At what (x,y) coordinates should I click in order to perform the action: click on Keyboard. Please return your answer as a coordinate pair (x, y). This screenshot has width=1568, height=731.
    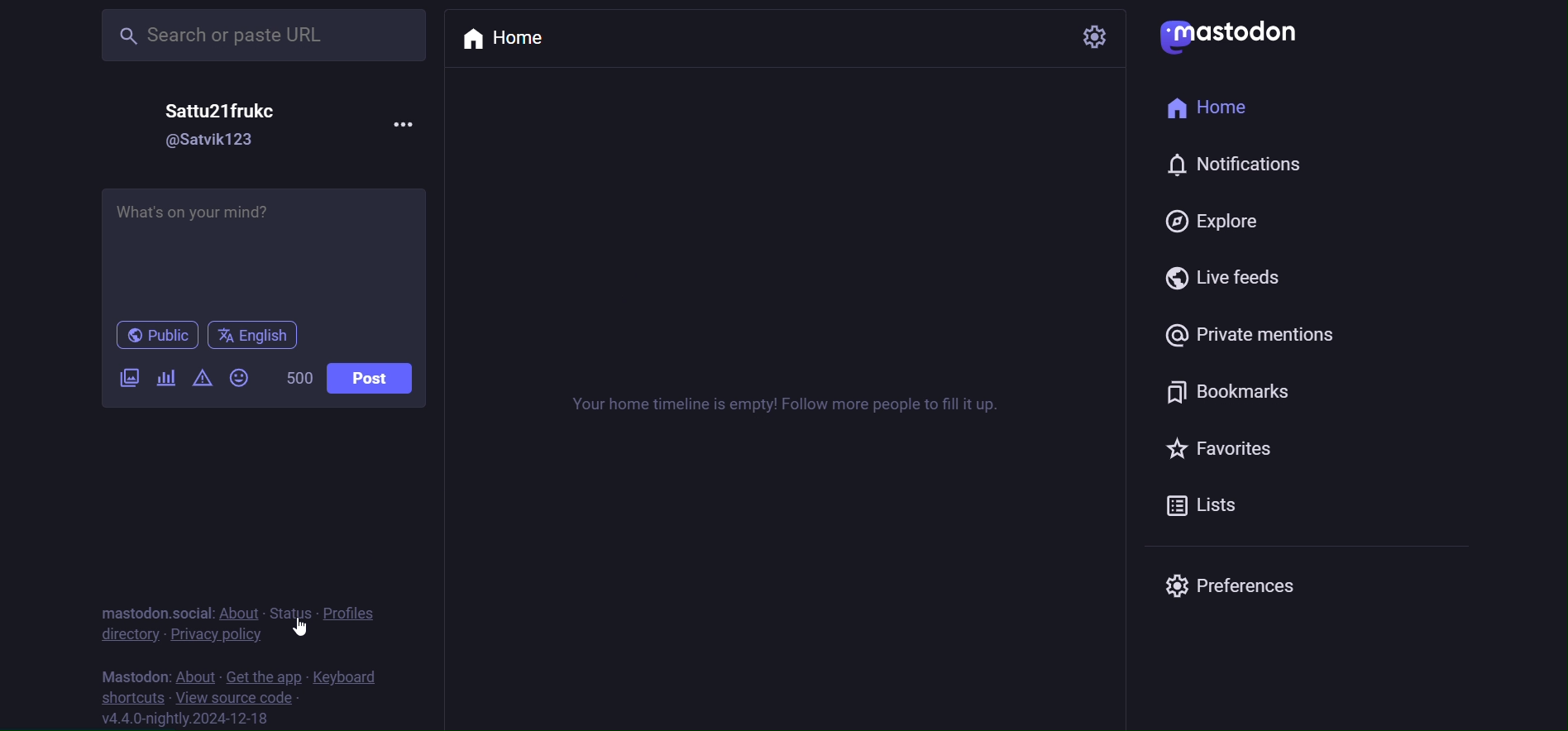
    Looking at the image, I should click on (347, 674).